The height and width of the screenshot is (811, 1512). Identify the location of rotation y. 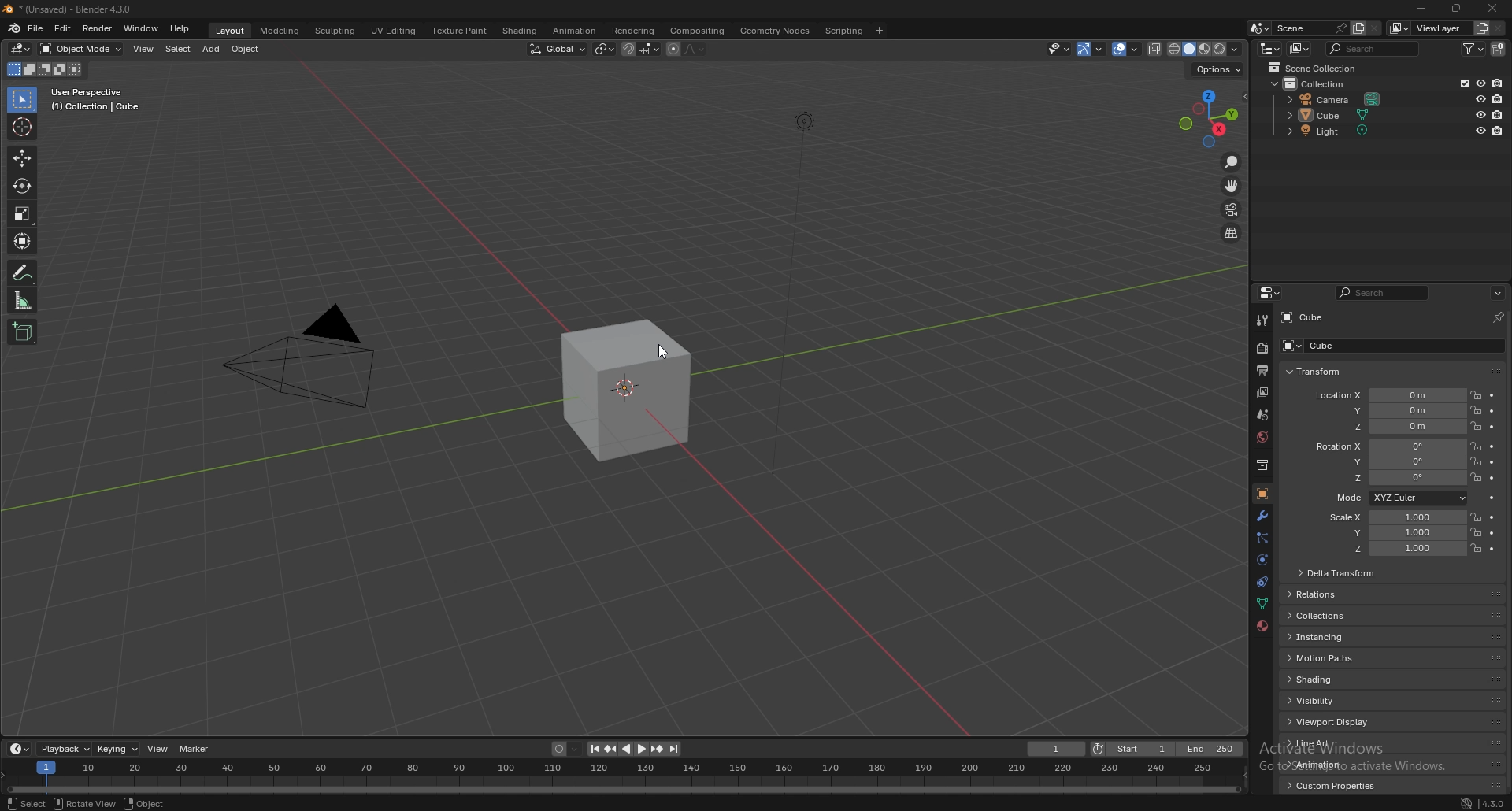
(1392, 463).